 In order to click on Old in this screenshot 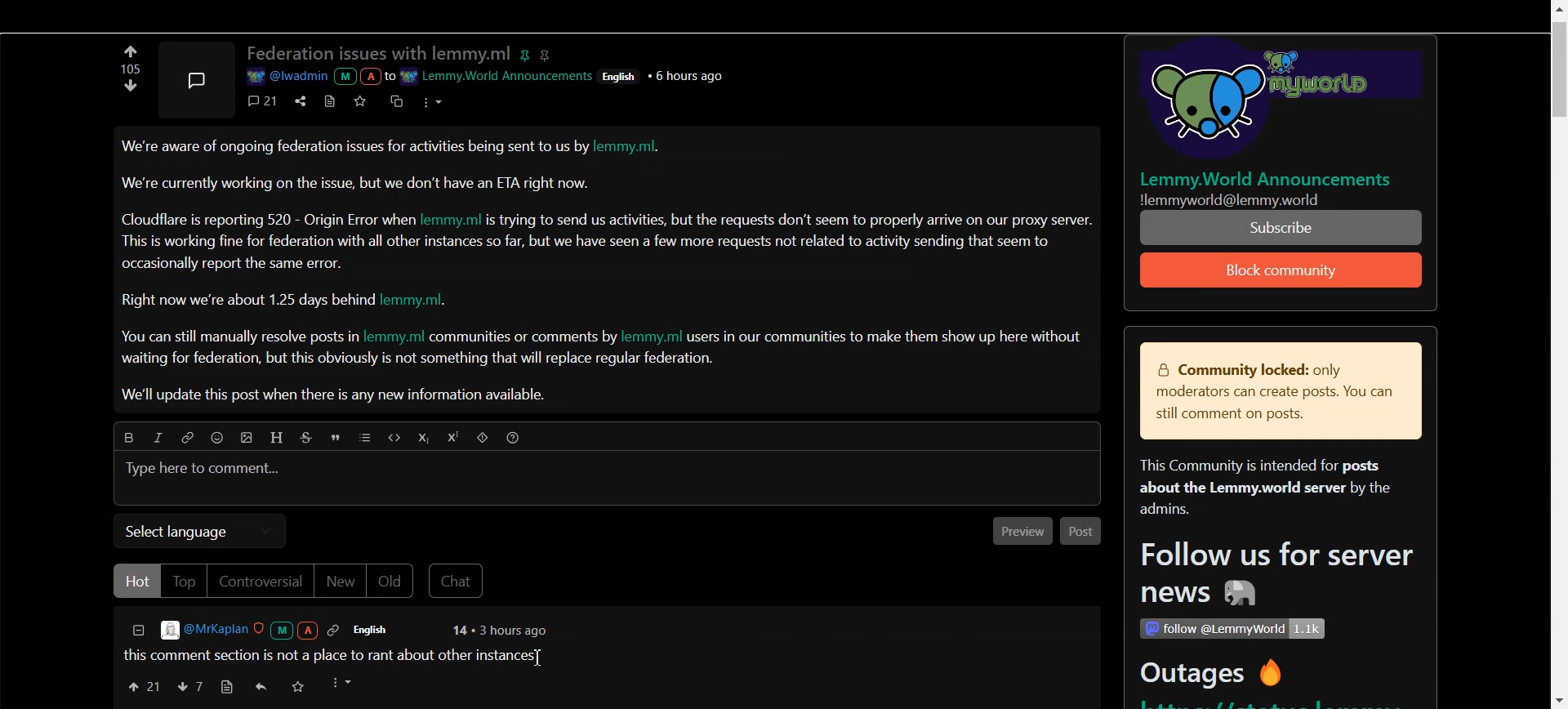, I will do `click(393, 582)`.